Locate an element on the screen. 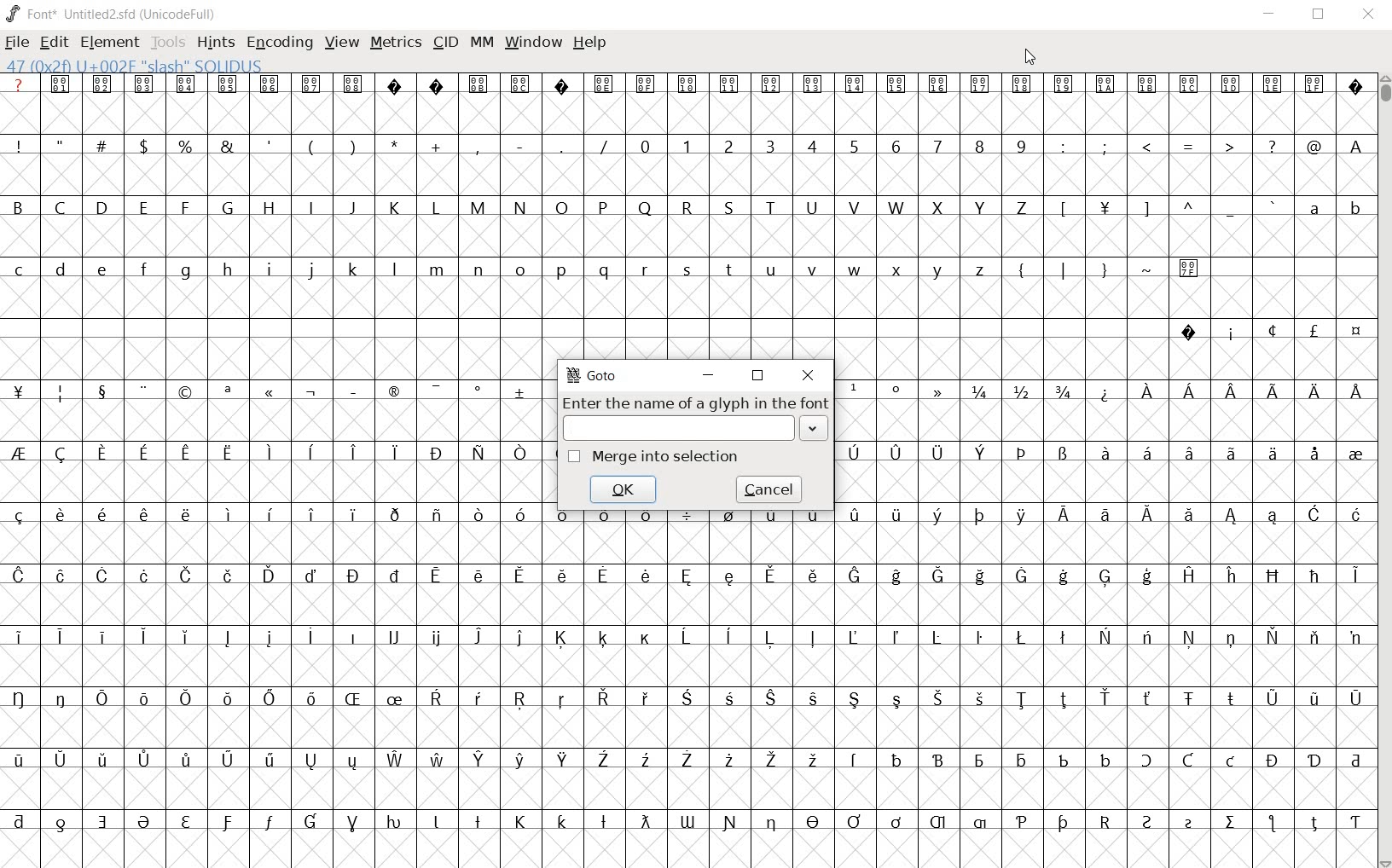  special symbols is located at coordinates (685, 84).